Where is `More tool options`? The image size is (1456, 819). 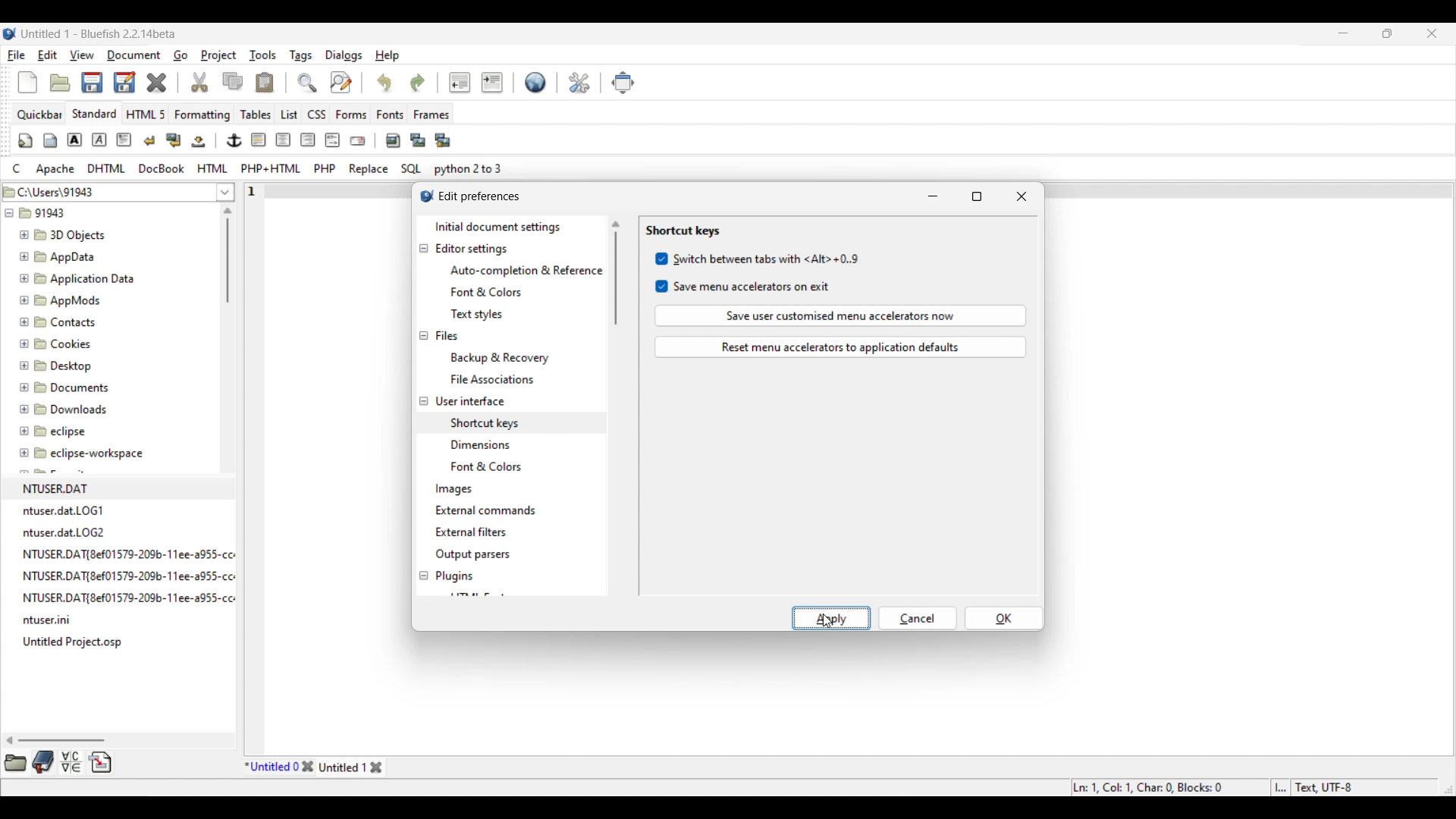 More tool options is located at coordinates (58, 762).